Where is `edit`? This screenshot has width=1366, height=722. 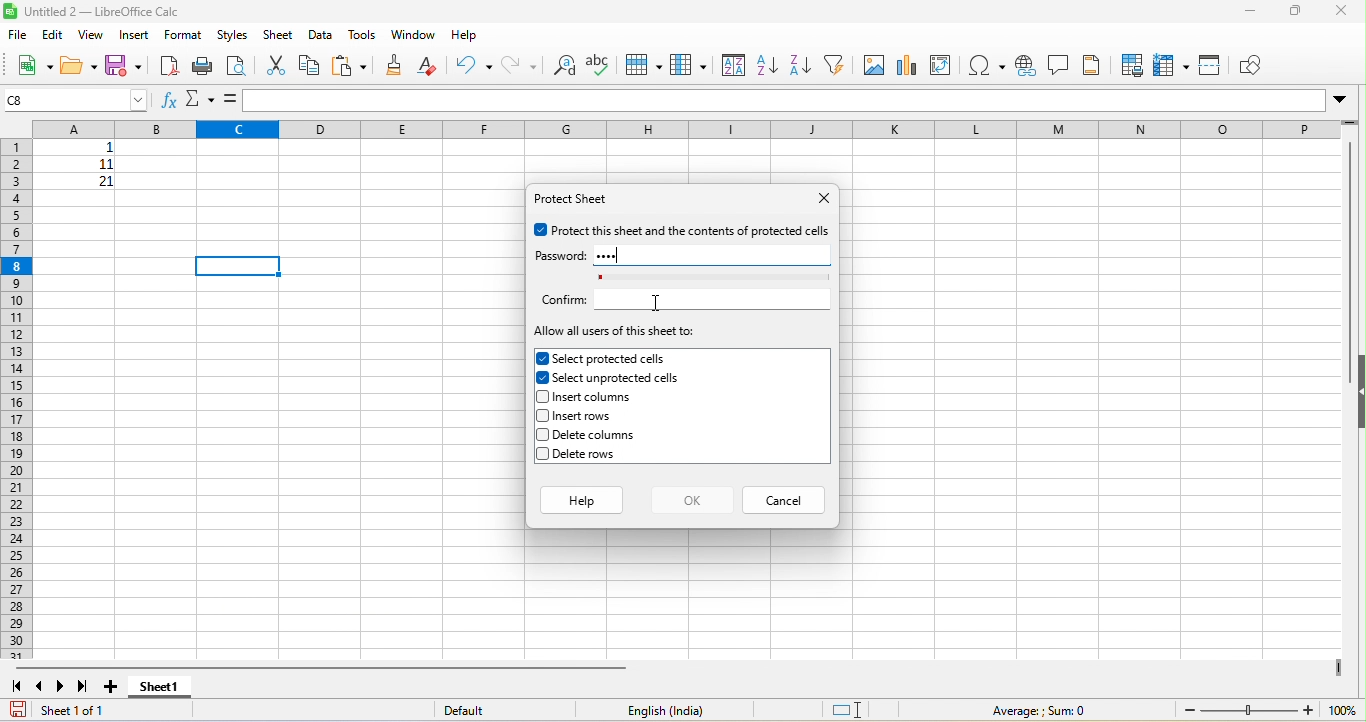 edit is located at coordinates (51, 35).